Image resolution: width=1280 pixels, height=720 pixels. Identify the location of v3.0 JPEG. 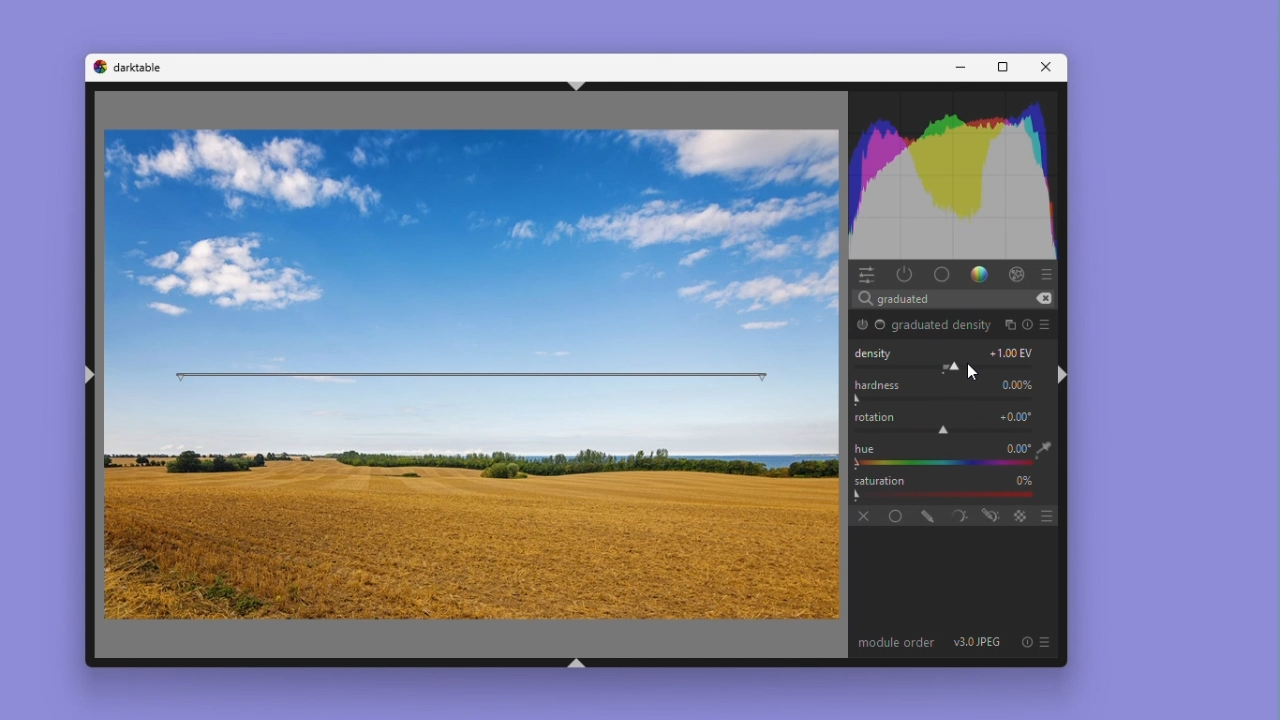
(979, 643).